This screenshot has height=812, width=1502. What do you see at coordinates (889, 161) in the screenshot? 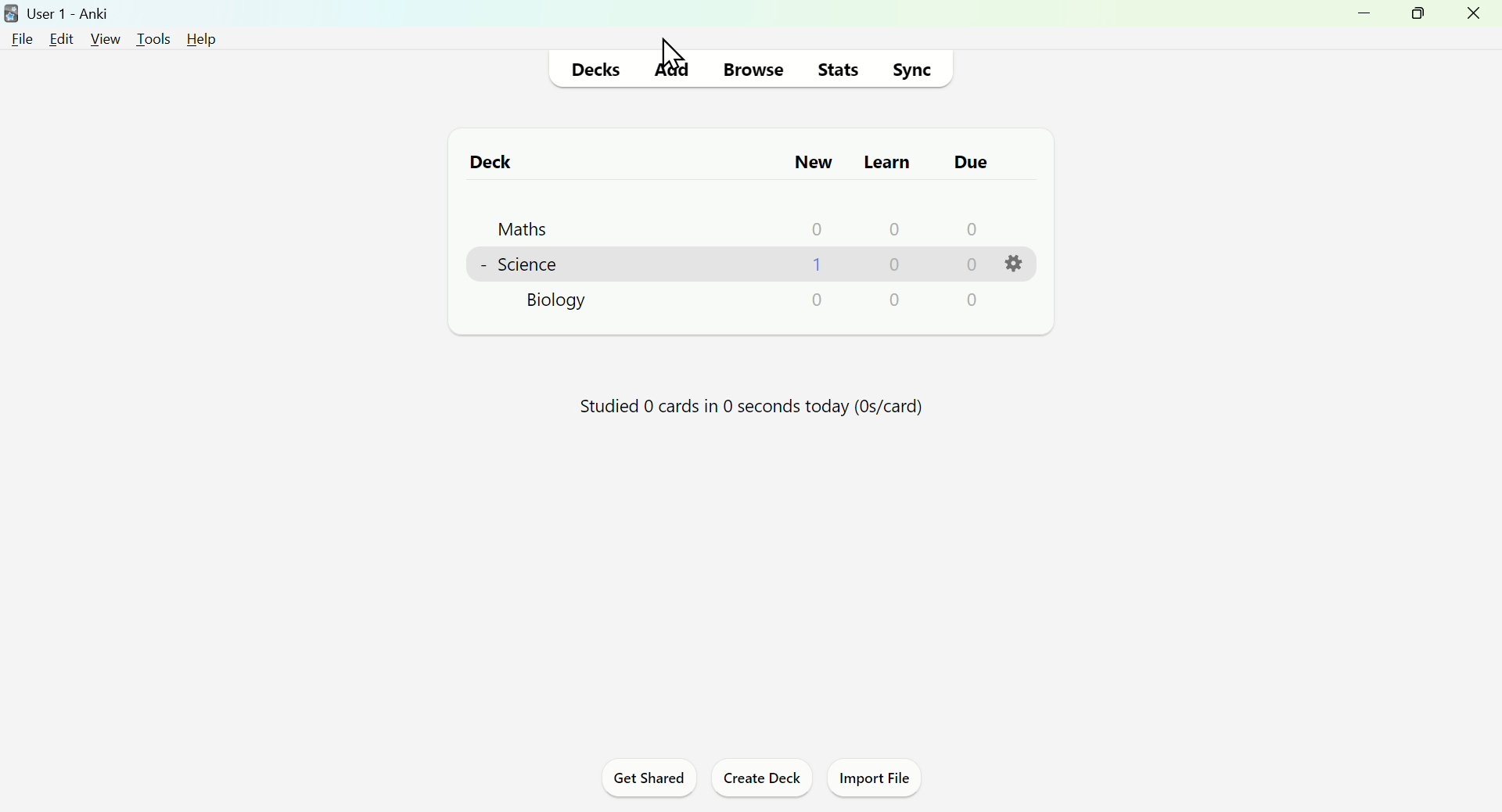
I see `Learn` at bounding box center [889, 161].